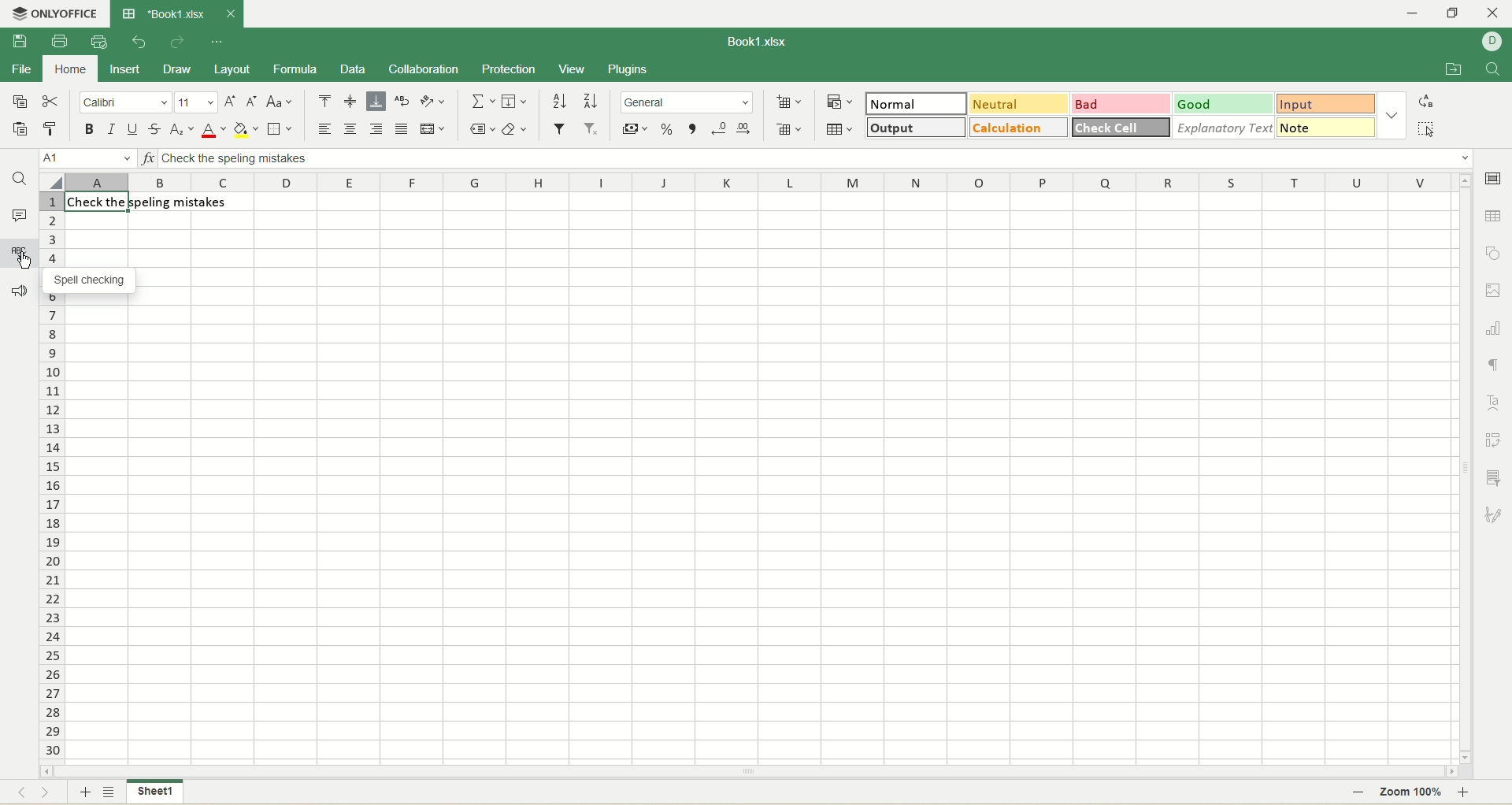  I want to click on data, so click(351, 69).